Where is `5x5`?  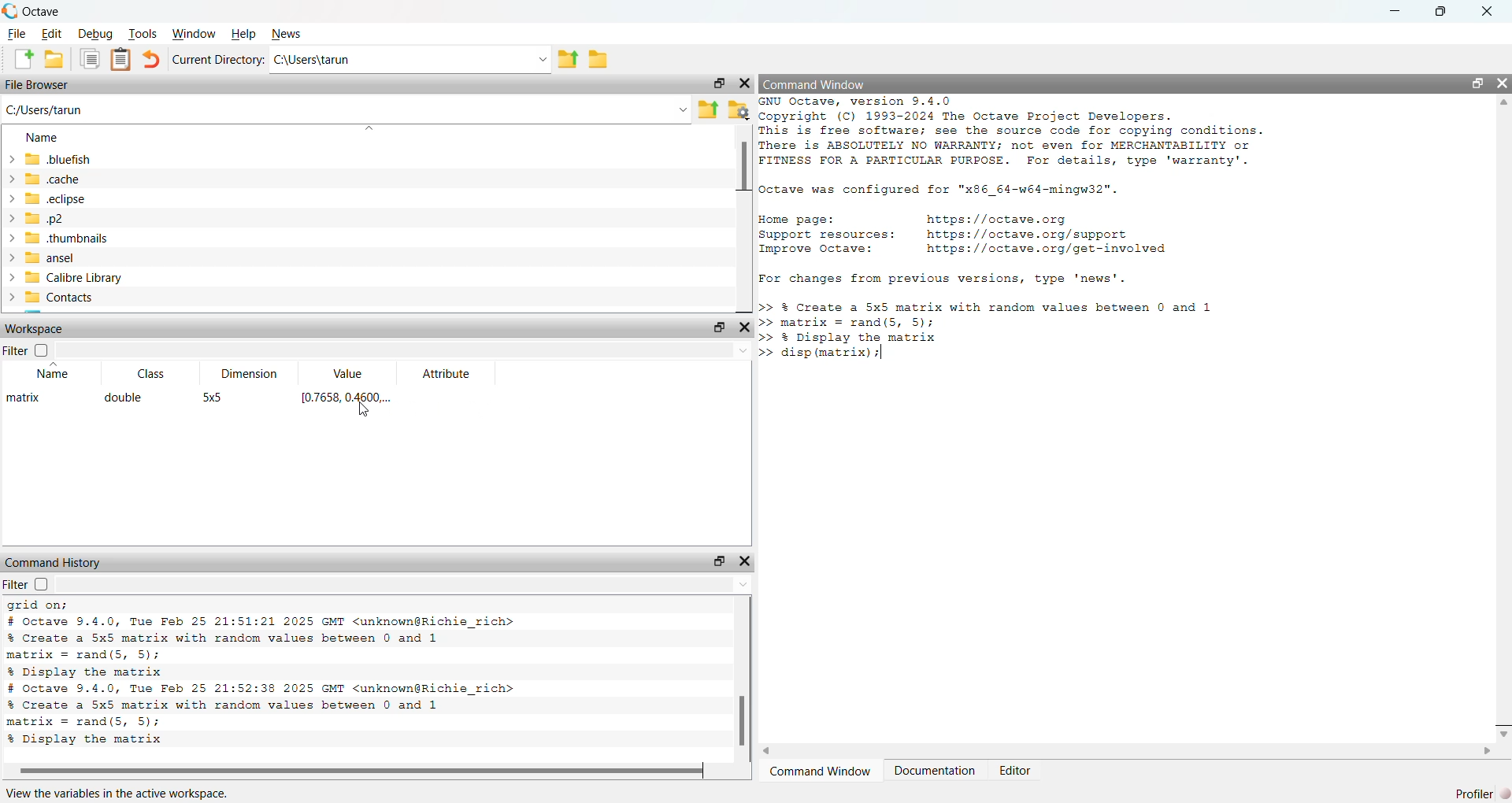 5x5 is located at coordinates (216, 398).